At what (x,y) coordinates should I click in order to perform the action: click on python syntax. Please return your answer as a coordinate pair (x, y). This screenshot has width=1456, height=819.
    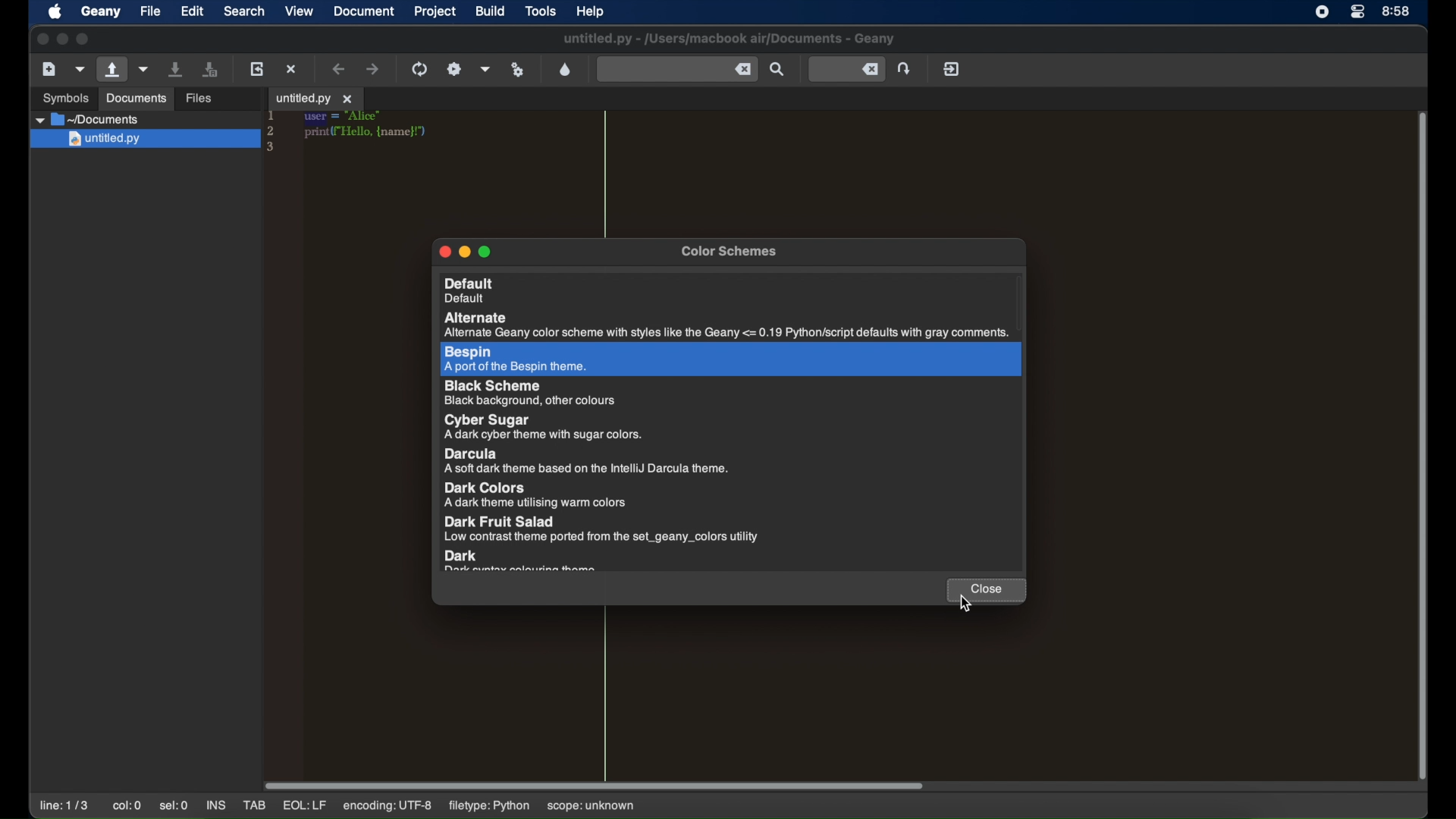
    Looking at the image, I should click on (350, 133).